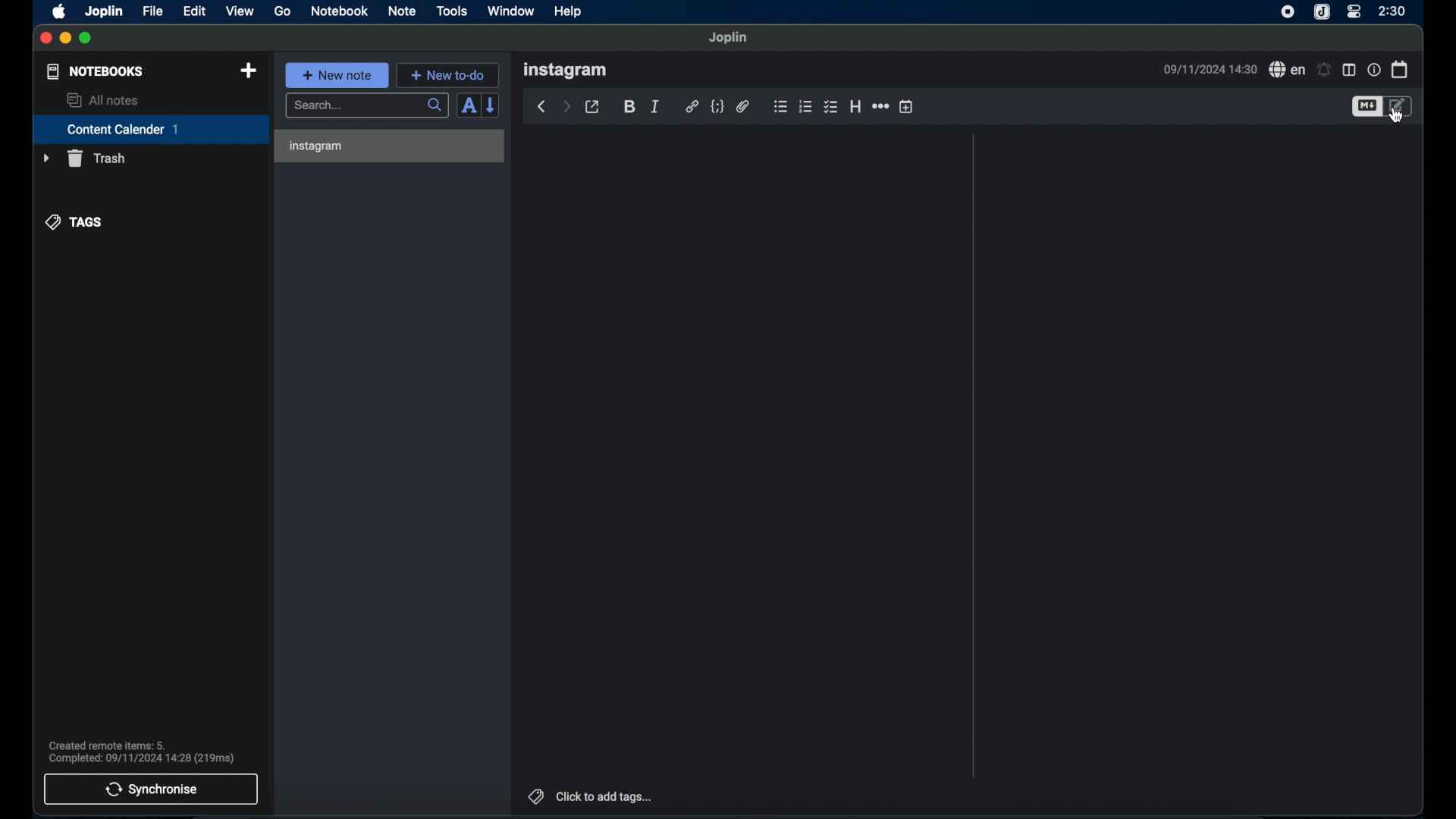  I want to click on Created remote items: 5.
‘Completed: 09/11/2024 14:28 (219ms), so click(140, 748).